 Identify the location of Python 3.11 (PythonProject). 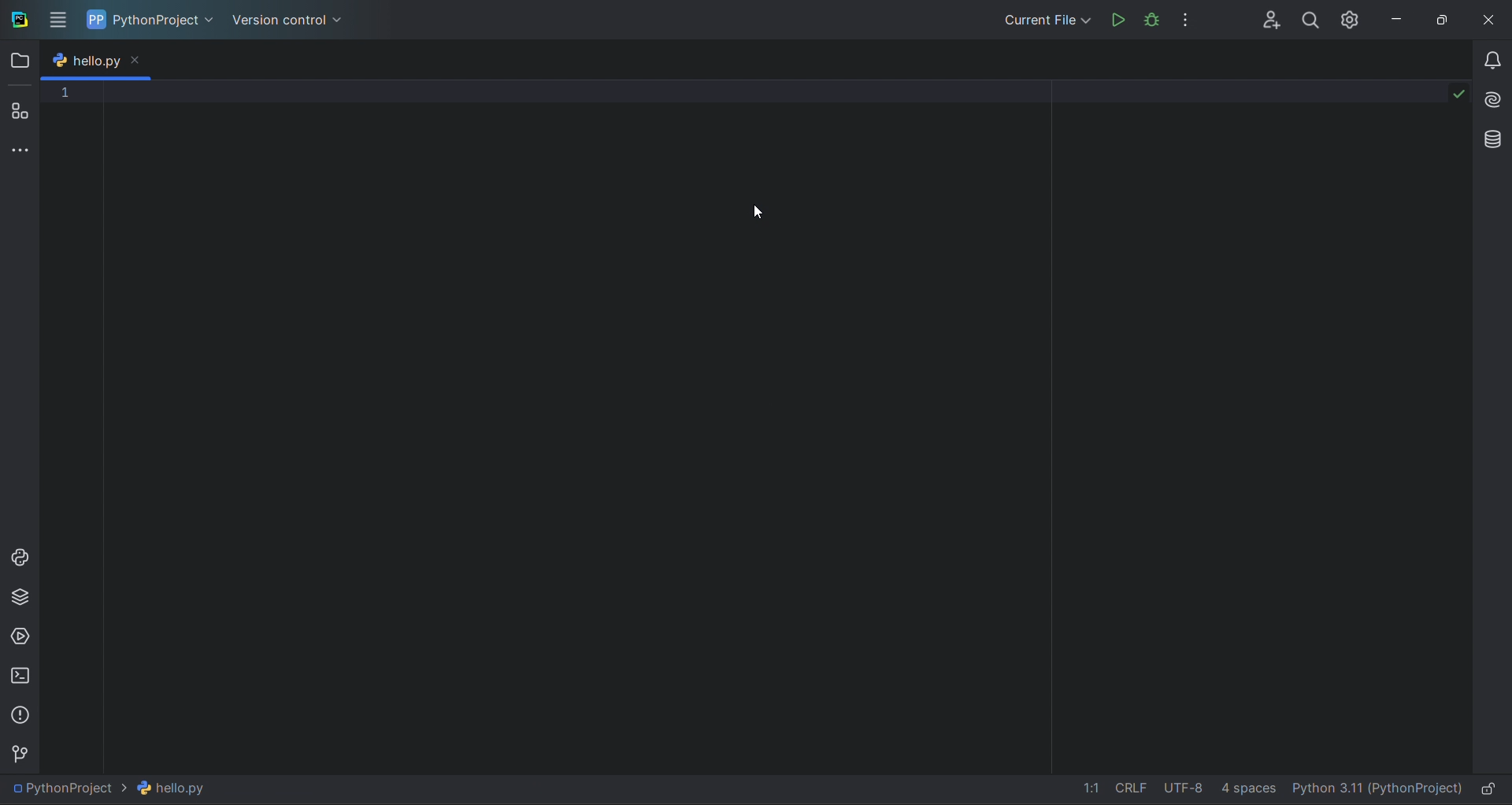
(1376, 788).